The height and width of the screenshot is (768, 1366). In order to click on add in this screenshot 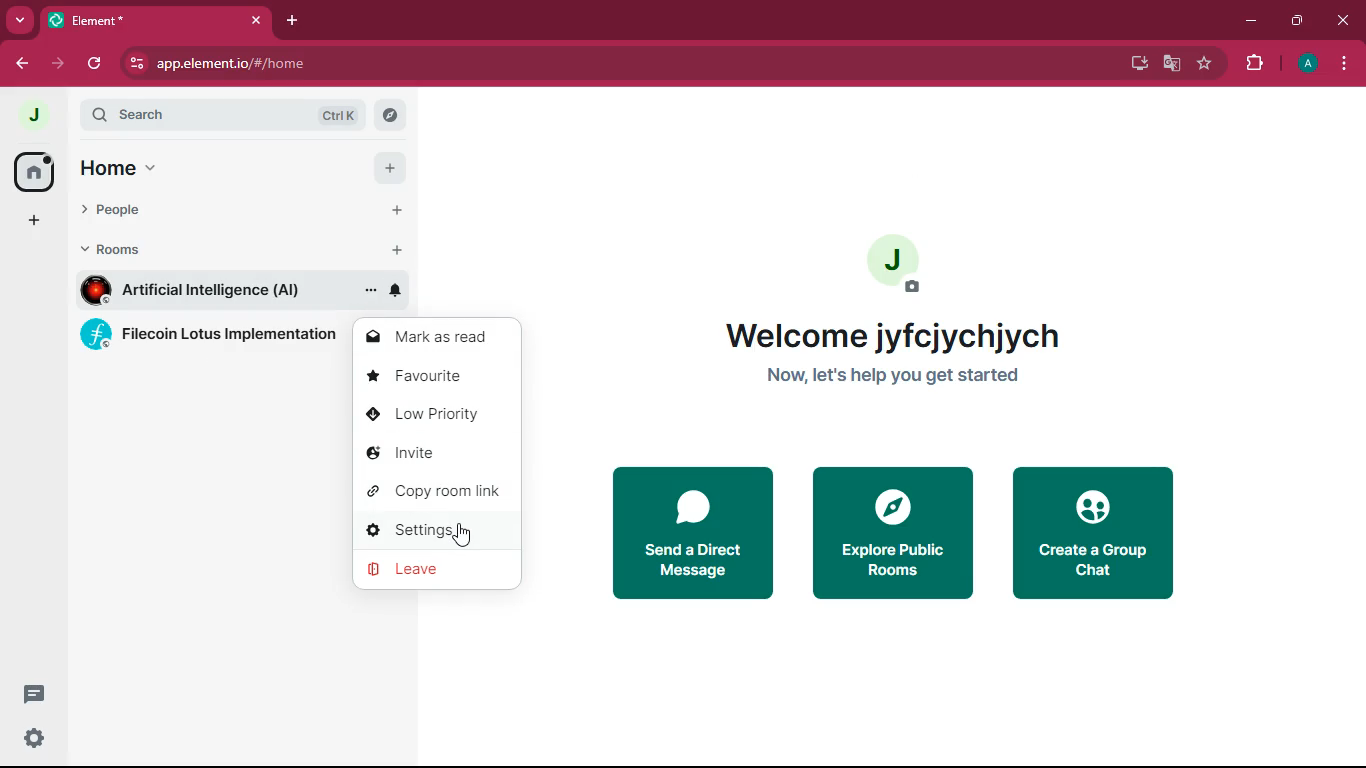, I will do `click(34, 224)`.